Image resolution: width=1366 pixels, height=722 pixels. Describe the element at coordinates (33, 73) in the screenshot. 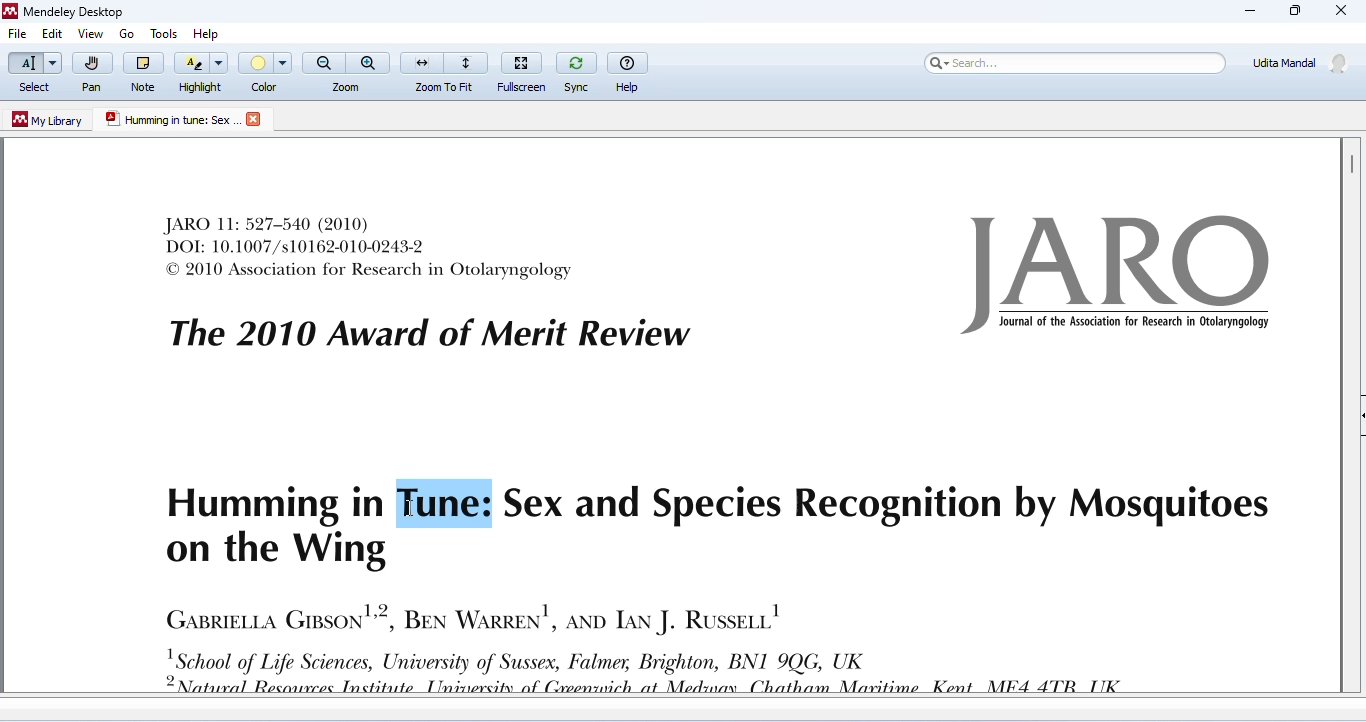

I see `select` at that location.